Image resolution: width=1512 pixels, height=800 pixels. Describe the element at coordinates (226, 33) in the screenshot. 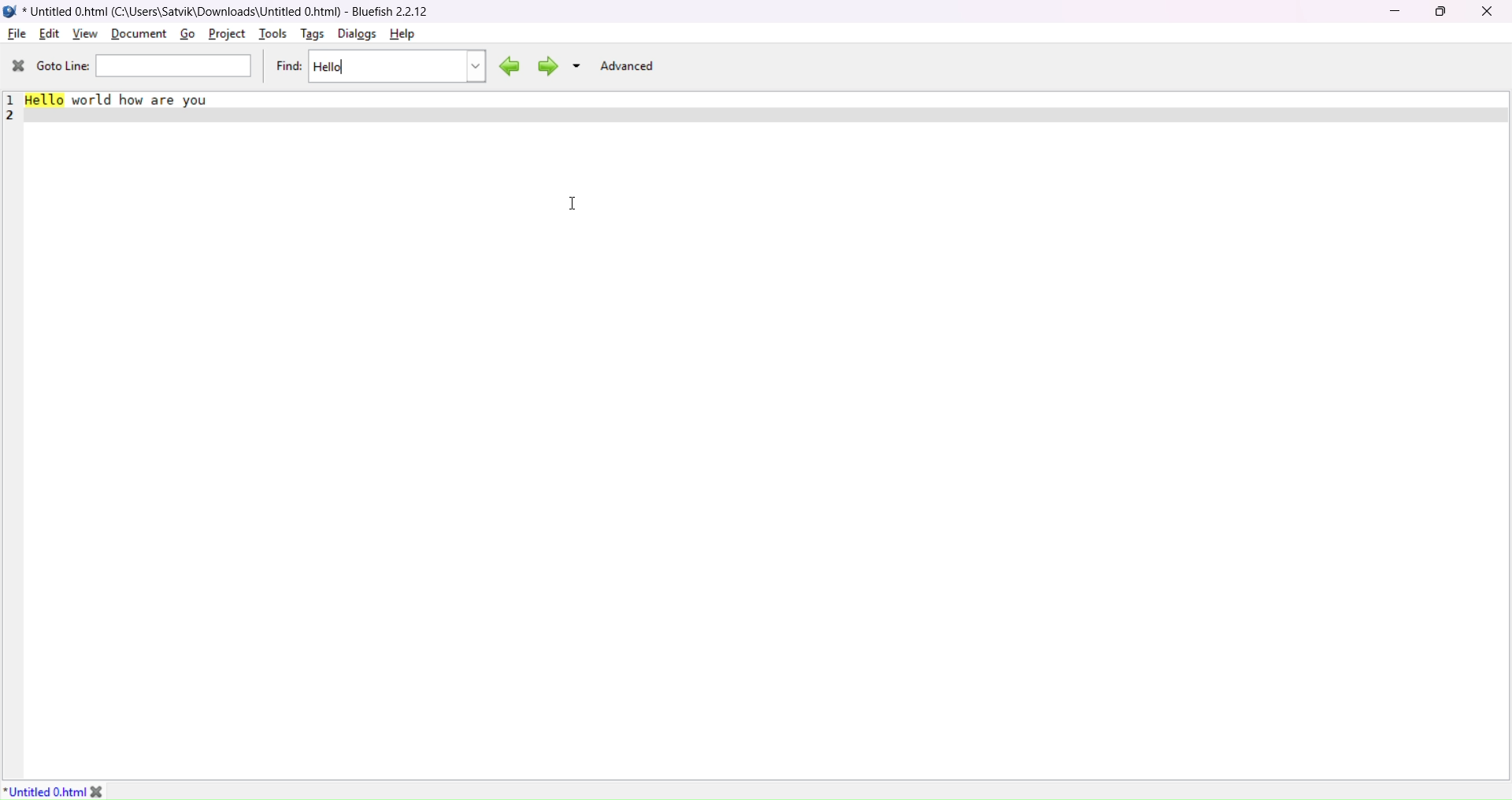

I see `project` at that location.